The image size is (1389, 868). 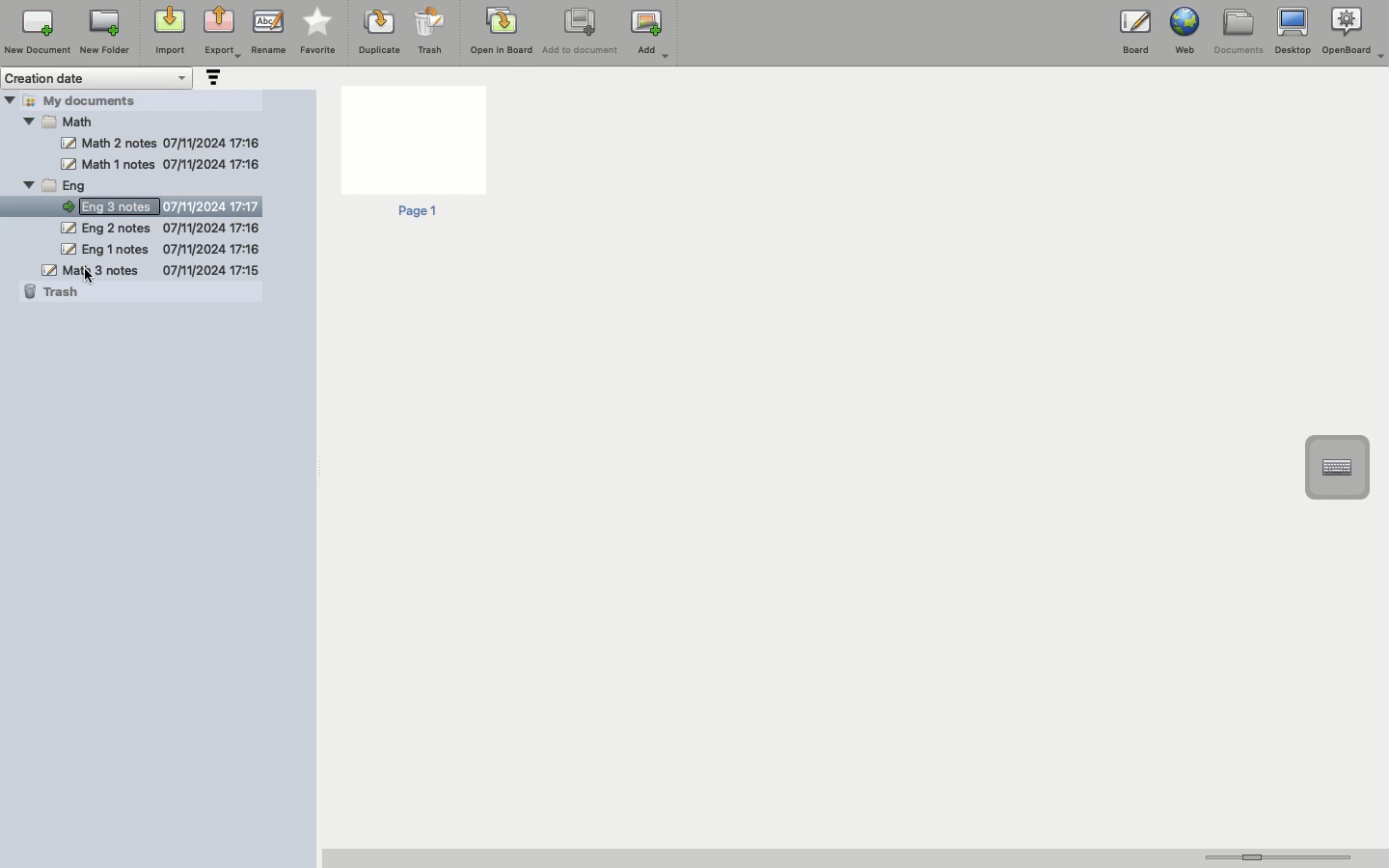 What do you see at coordinates (502, 30) in the screenshot?
I see `Open in board` at bounding box center [502, 30].